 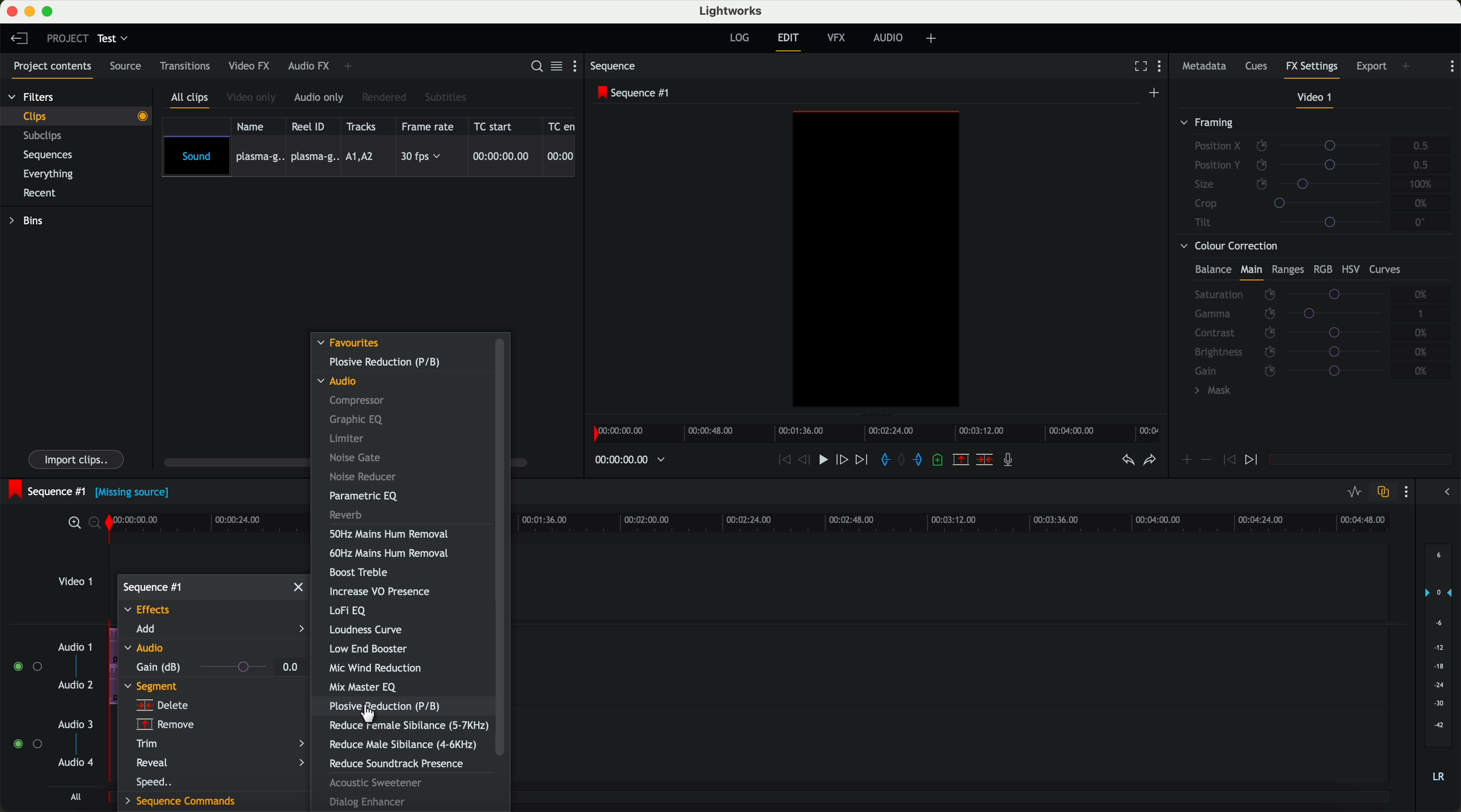 I want to click on sequence #1, so click(x=47, y=489).